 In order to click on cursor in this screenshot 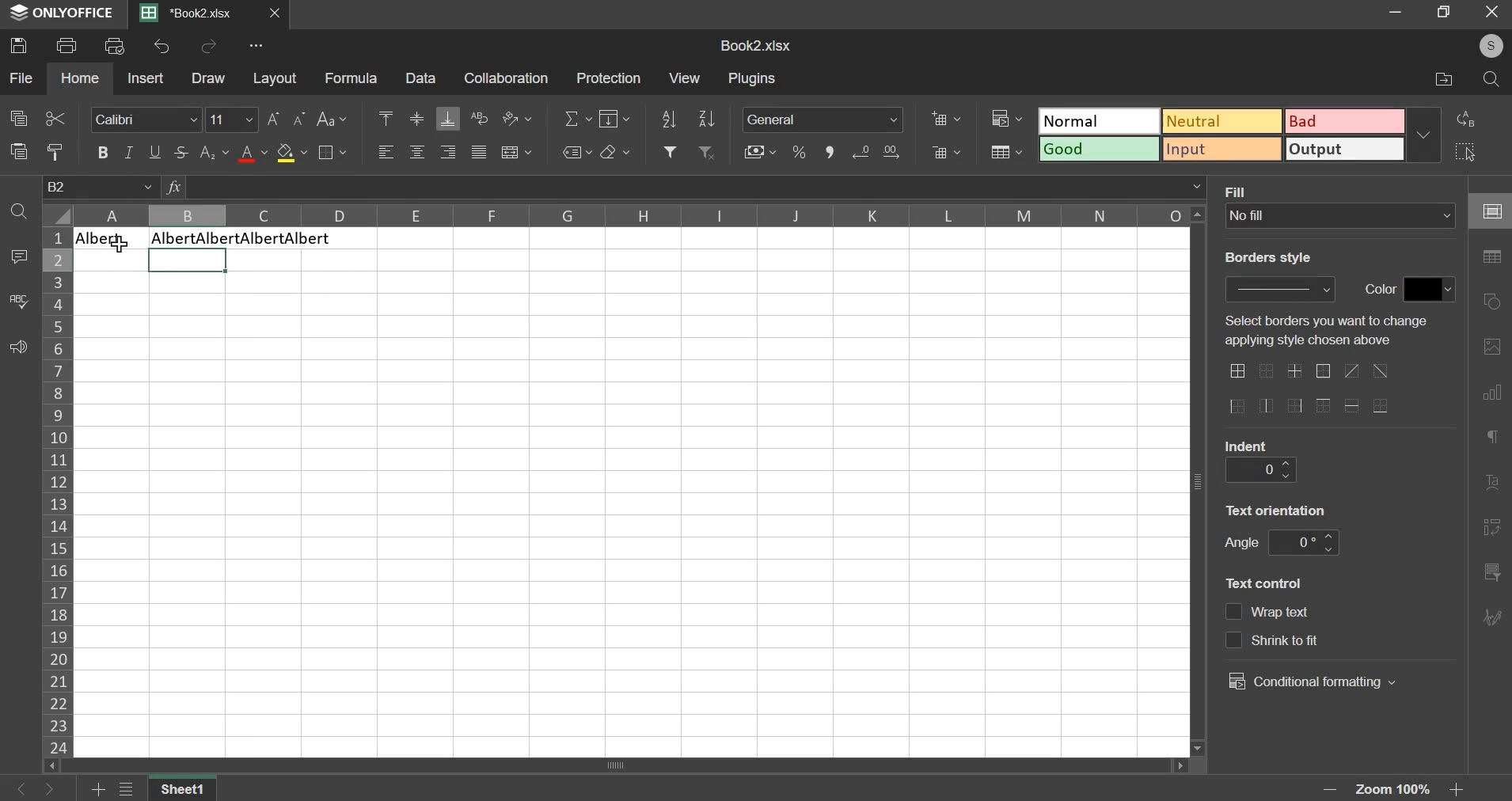, I will do `click(118, 244)`.